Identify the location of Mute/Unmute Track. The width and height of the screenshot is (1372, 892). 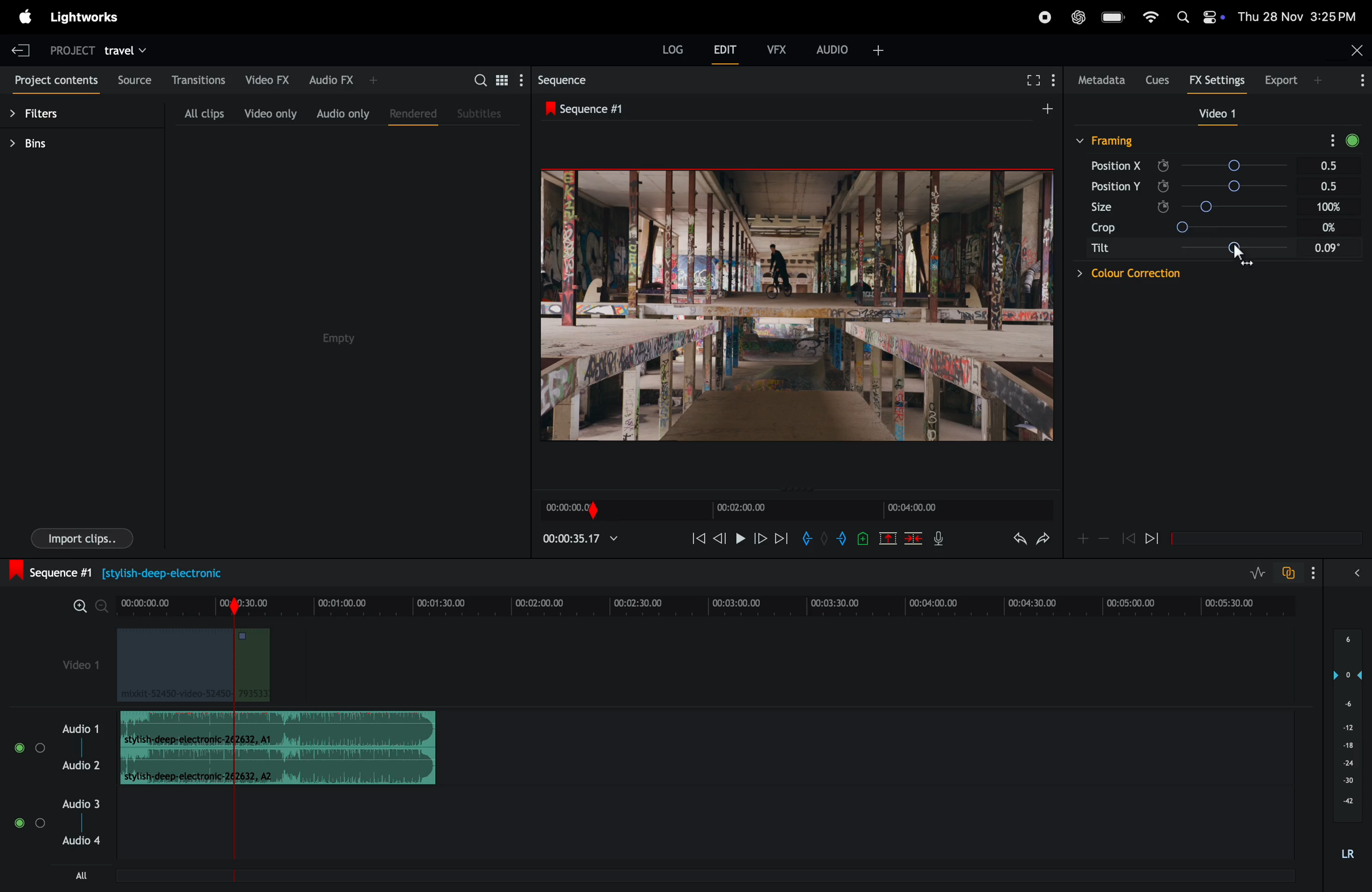
(20, 825).